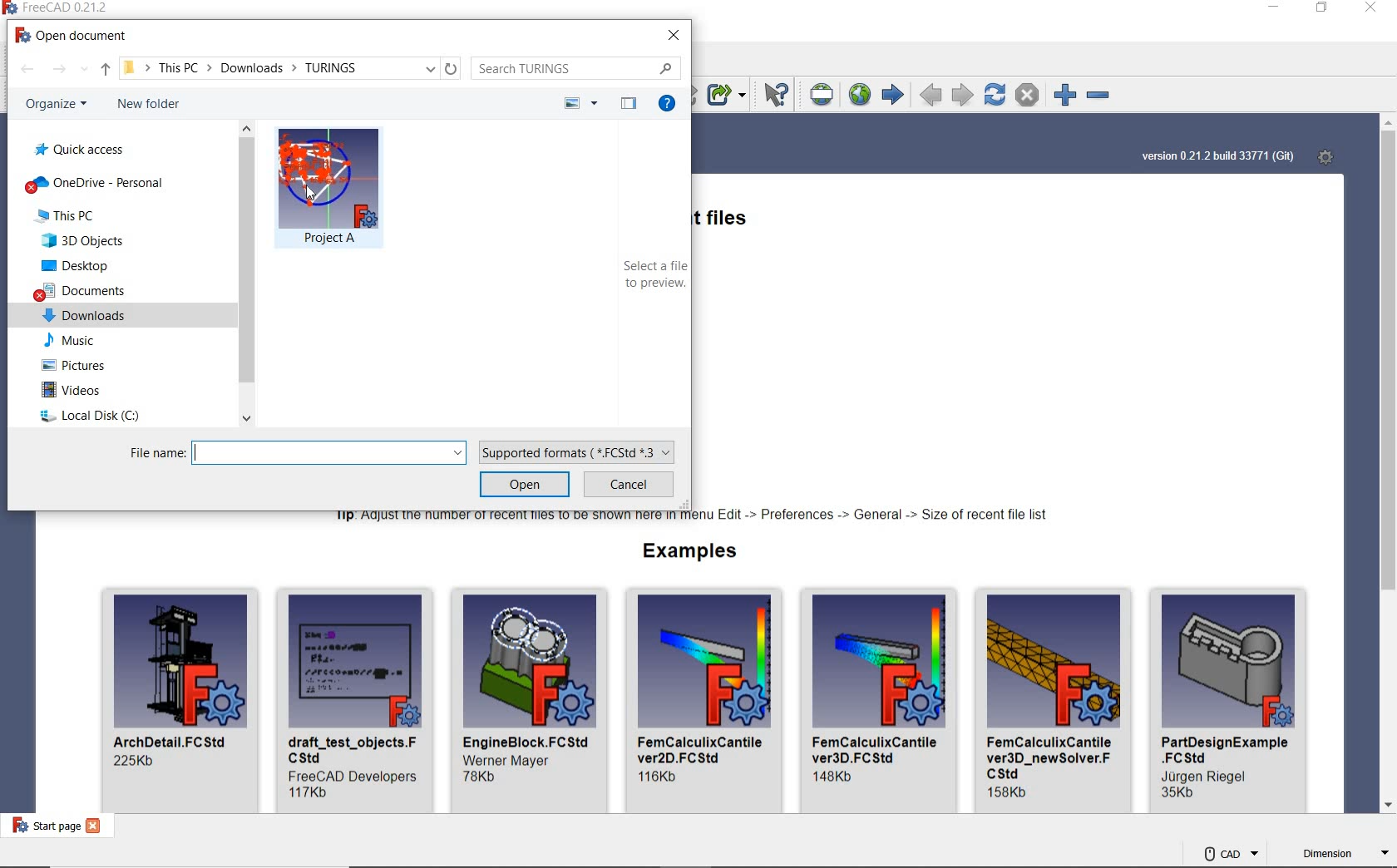  I want to click on desktop, so click(81, 265).